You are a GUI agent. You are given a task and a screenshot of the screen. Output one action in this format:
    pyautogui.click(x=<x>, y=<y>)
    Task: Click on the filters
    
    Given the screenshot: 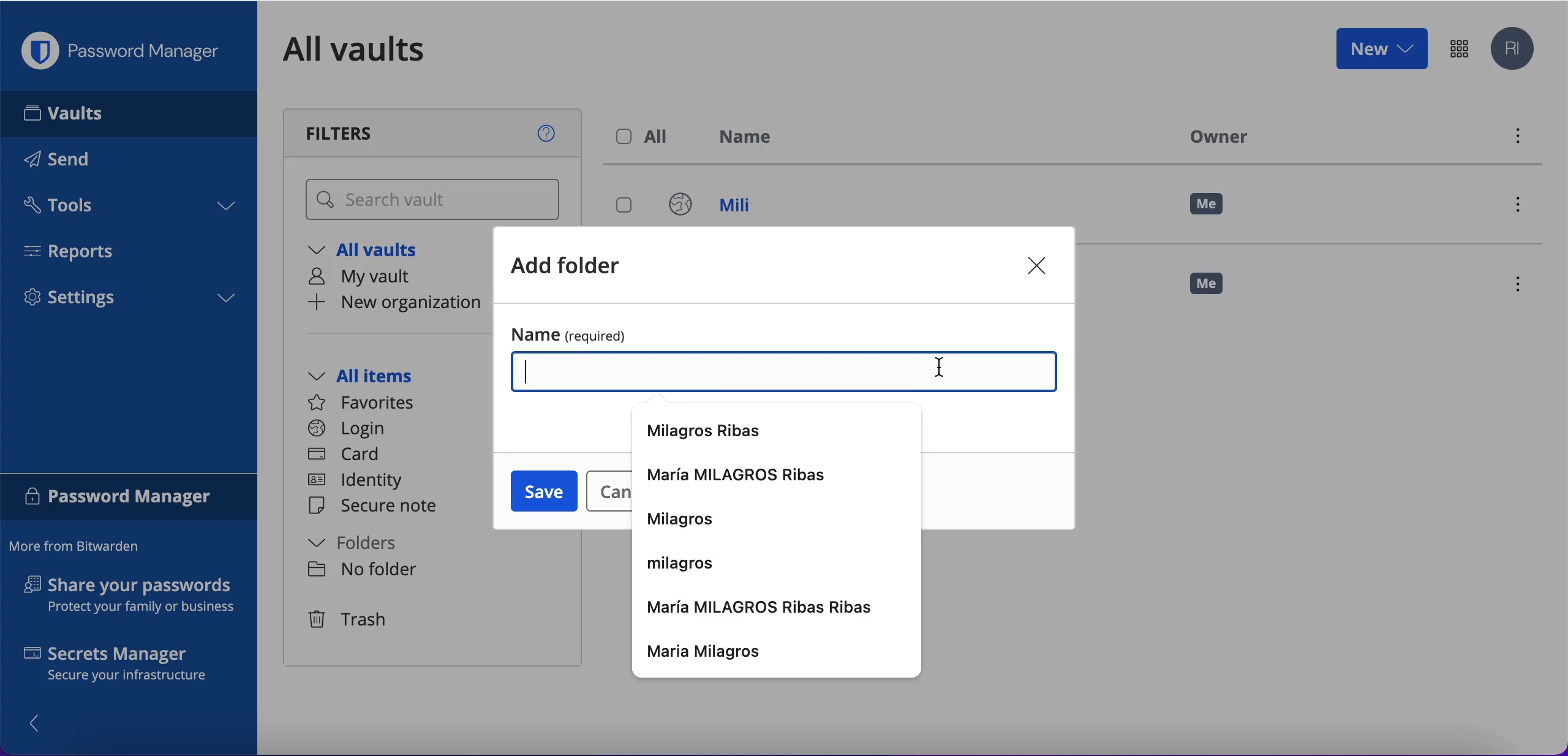 What is the action you would take?
    pyautogui.click(x=435, y=133)
    